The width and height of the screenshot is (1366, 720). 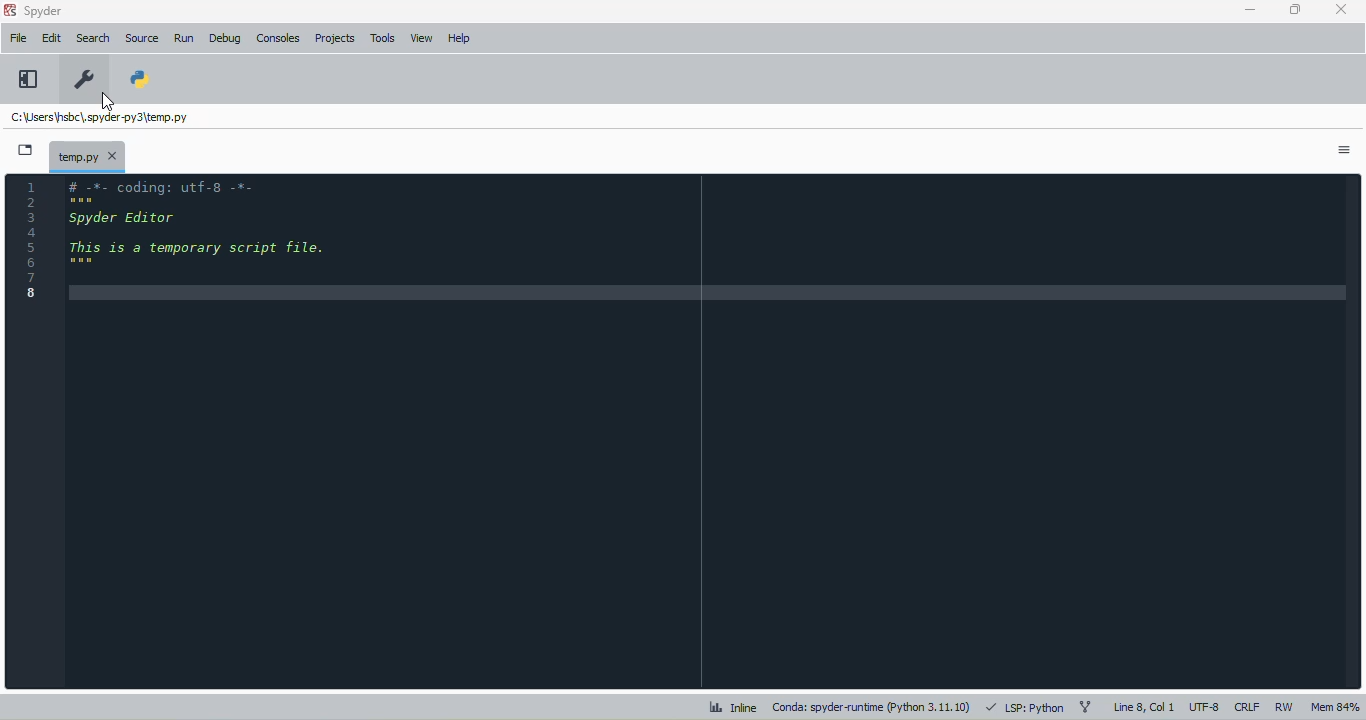 I want to click on projects, so click(x=336, y=38).